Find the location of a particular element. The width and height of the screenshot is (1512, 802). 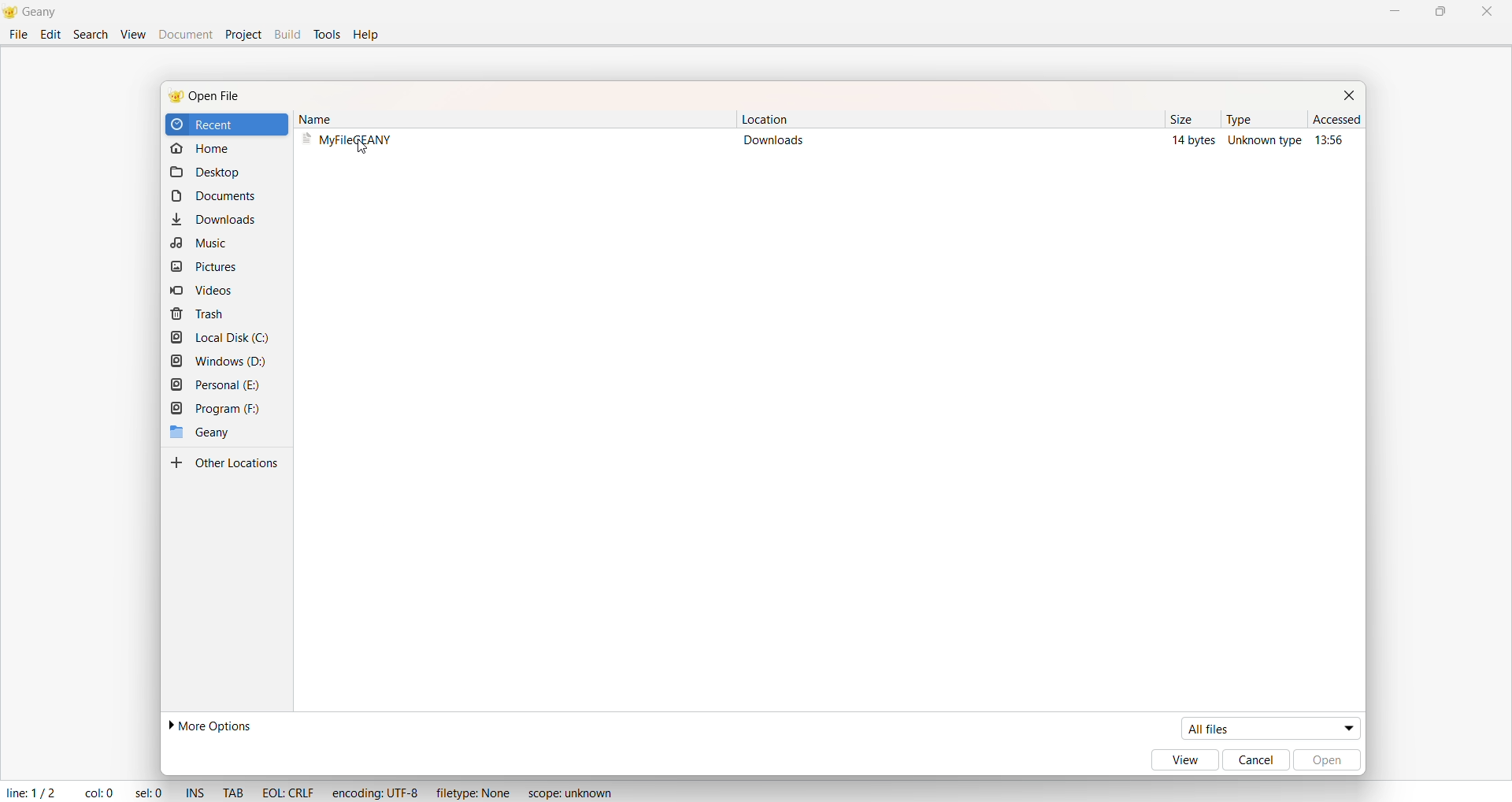

location is located at coordinates (764, 119).